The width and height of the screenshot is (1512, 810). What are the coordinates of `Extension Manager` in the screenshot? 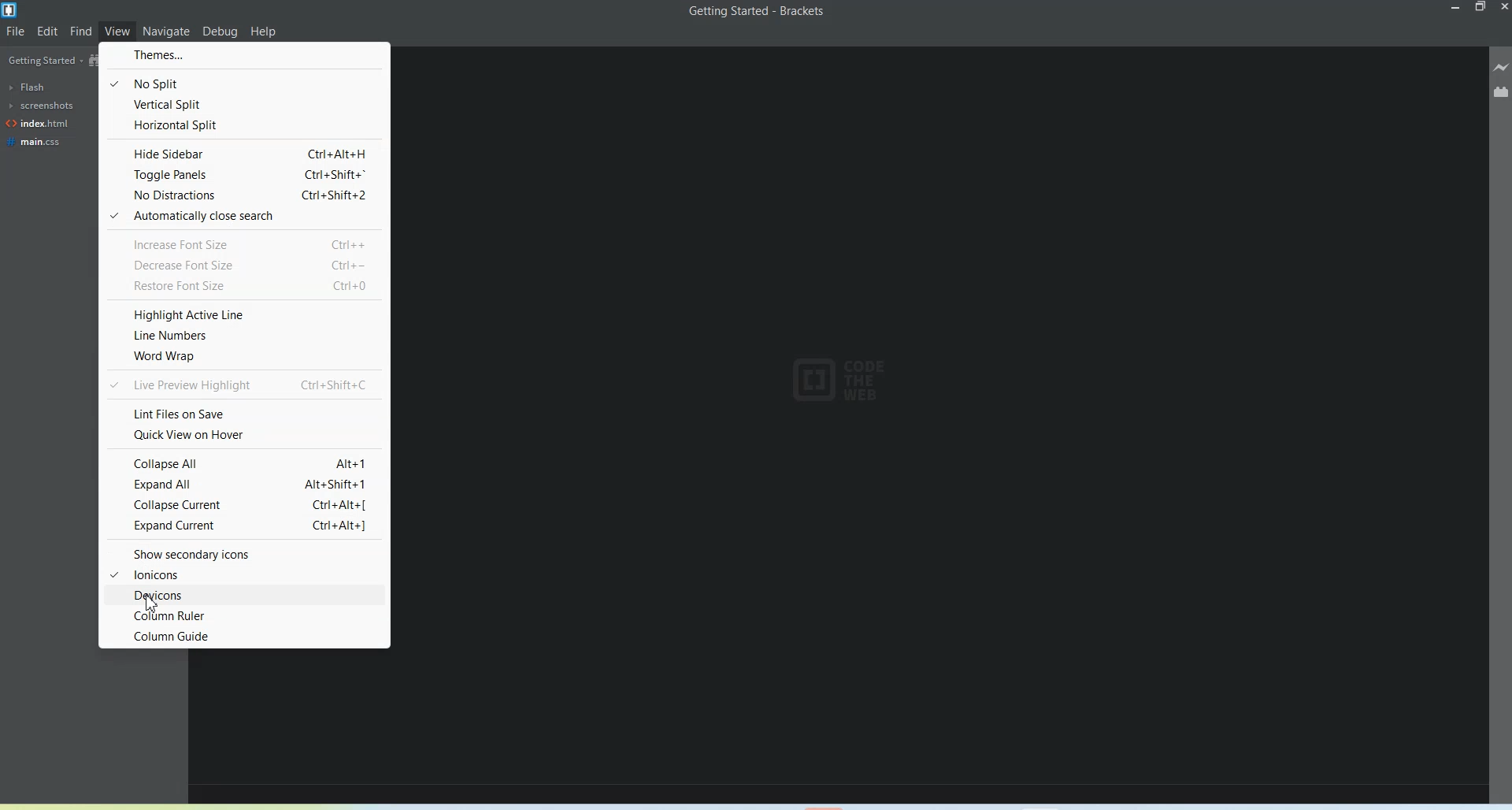 It's located at (1501, 91).